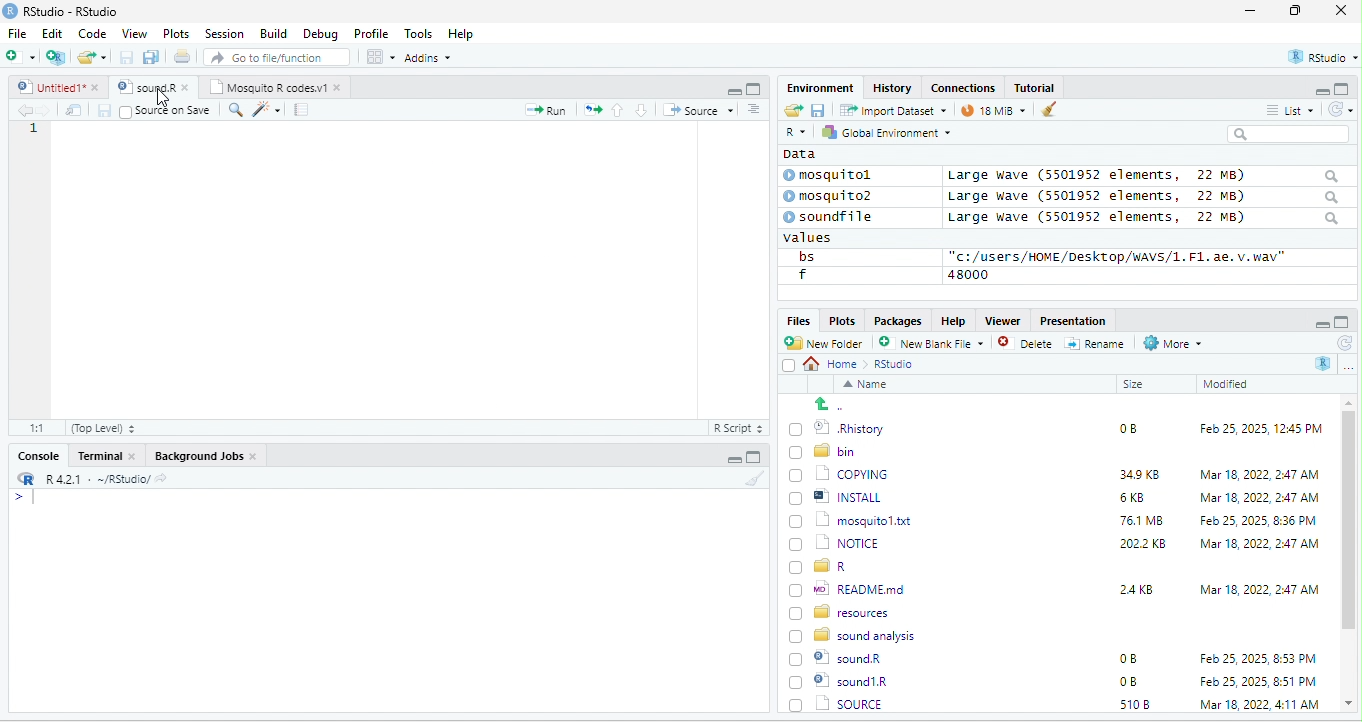 The image size is (1362, 722). What do you see at coordinates (1258, 544) in the screenshot?
I see `‘Mar 18, 2022, 2:47 AM` at bounding box center [1258, 544].